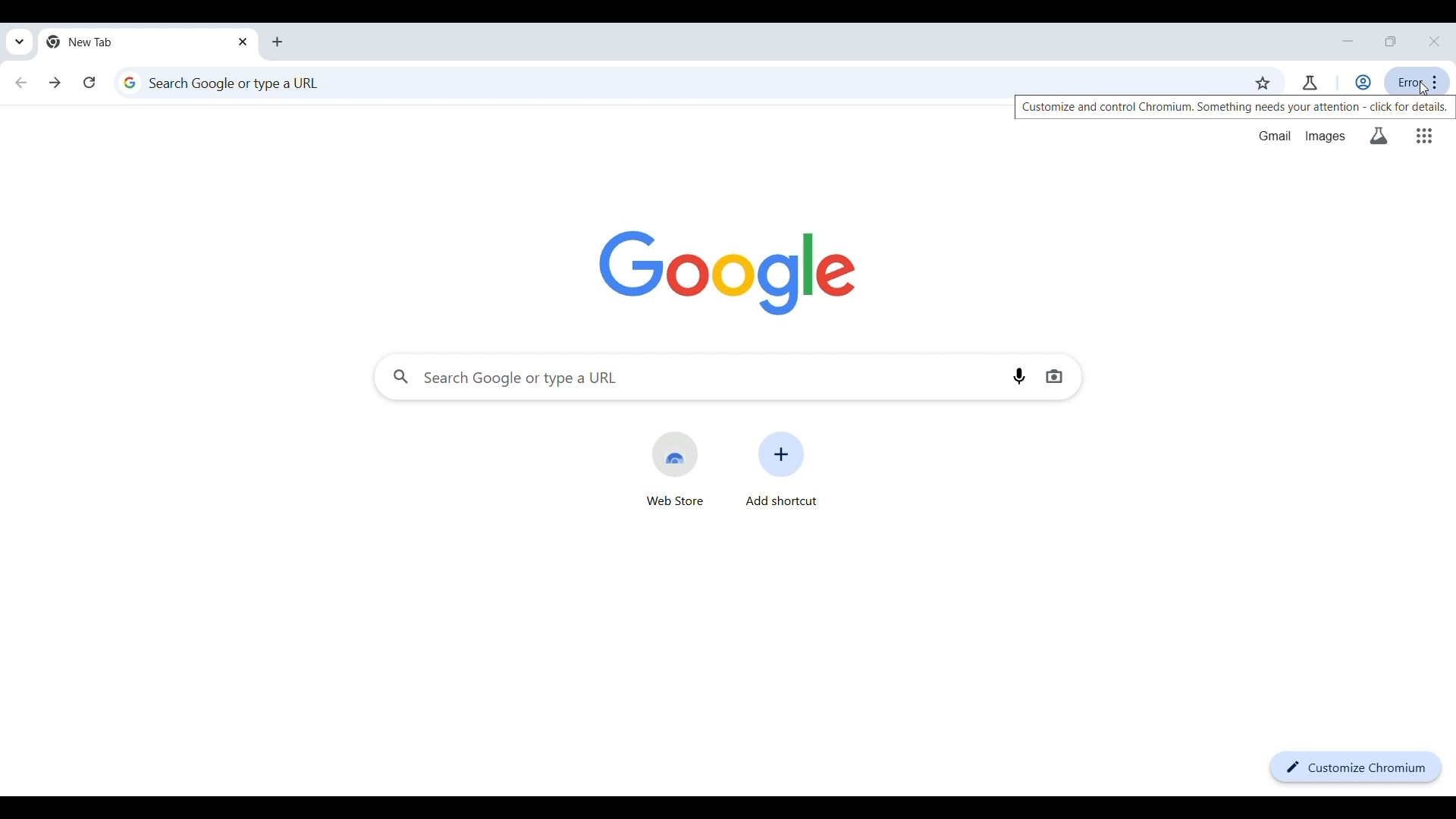 The width and height of the screenshot is (1456, 819). I want to click on customize and control chromium. Something needs your attention - click for details., so click(1235, 108).